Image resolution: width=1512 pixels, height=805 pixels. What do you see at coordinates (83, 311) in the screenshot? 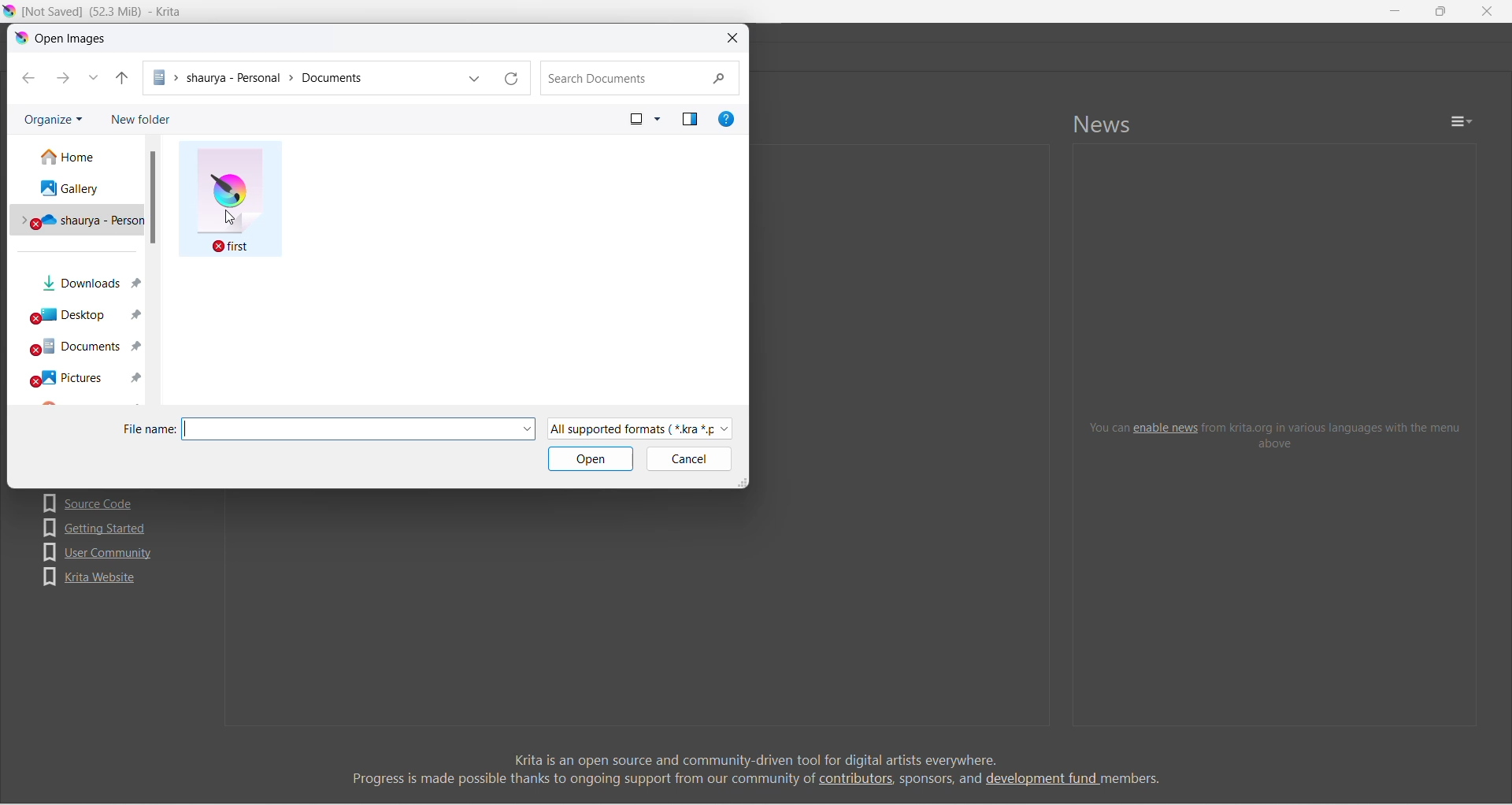
I see `desktop` at bounding box center [83, 311].